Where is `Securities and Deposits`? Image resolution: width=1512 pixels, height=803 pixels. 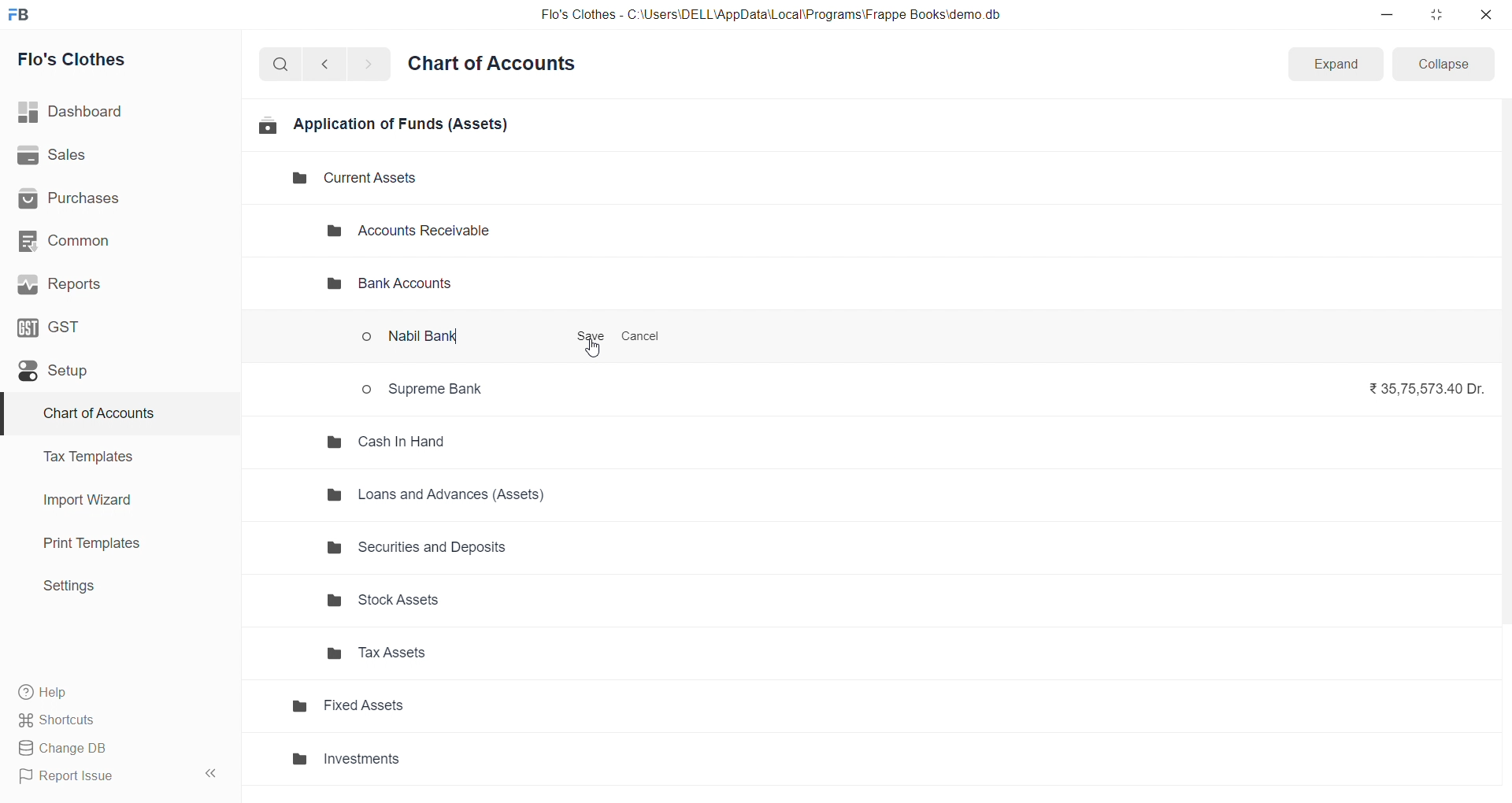 Securities and Deposits is located at coordinates (454, 553).